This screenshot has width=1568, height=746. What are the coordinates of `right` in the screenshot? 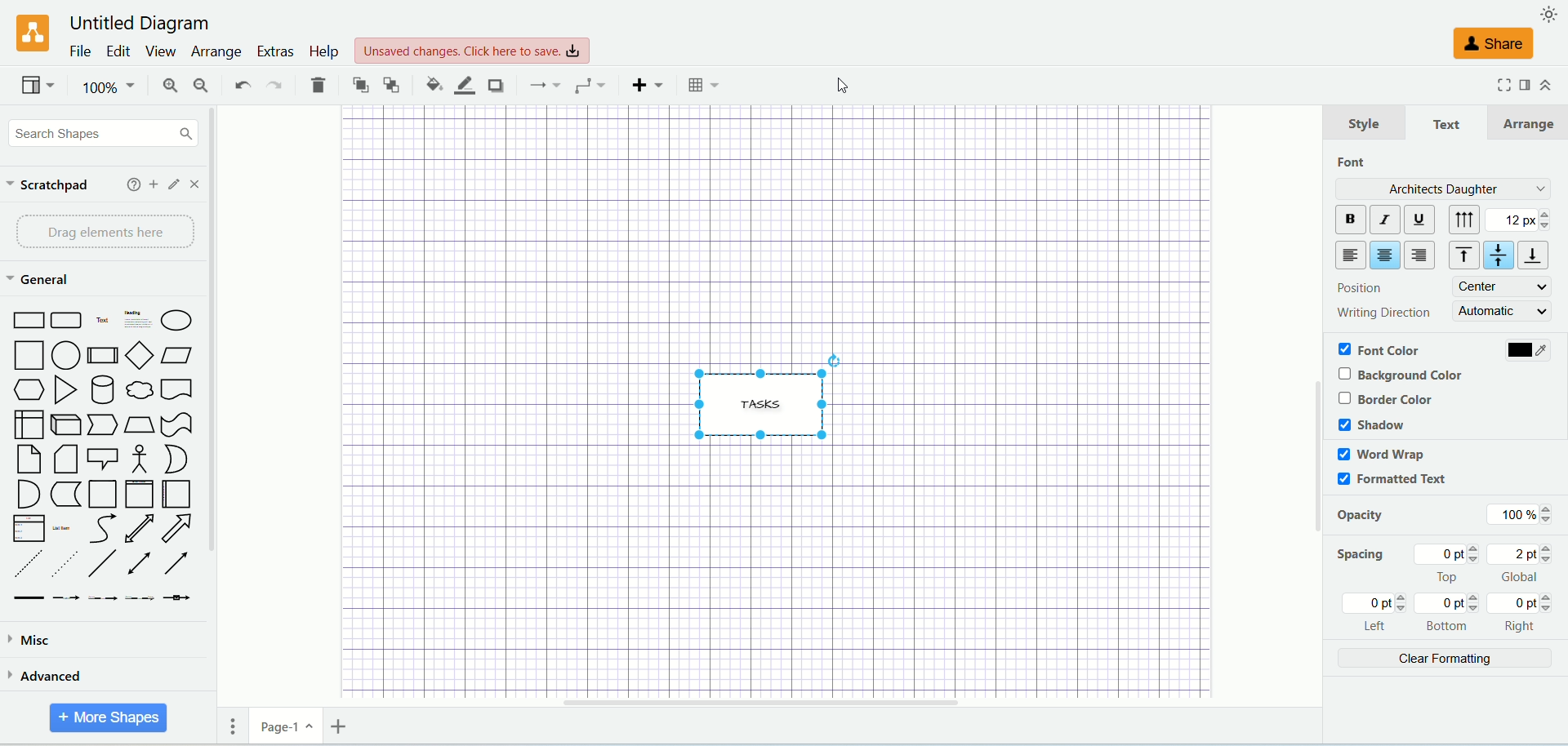 It's located at (1522, 613).